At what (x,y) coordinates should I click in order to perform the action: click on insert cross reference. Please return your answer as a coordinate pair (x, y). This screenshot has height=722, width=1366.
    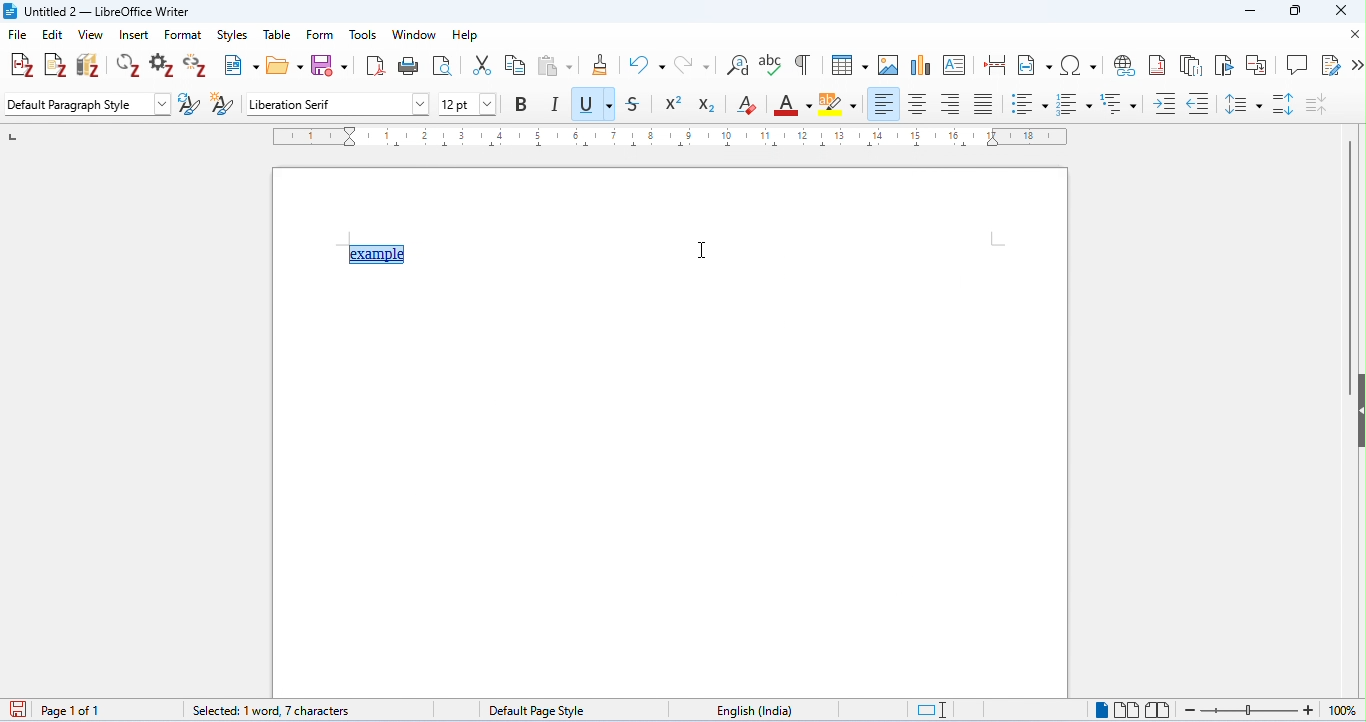
    Looking at the image, I should click on (1258, 65).